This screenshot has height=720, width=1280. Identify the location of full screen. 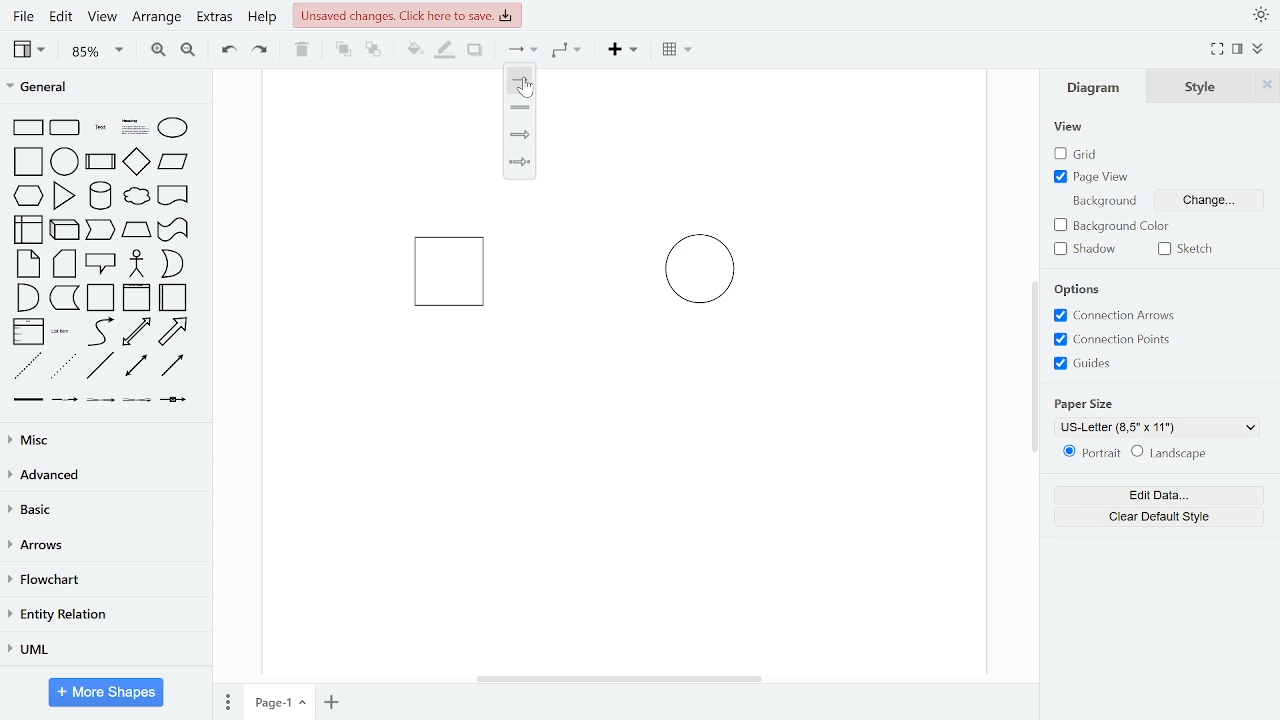
(1218, 50).